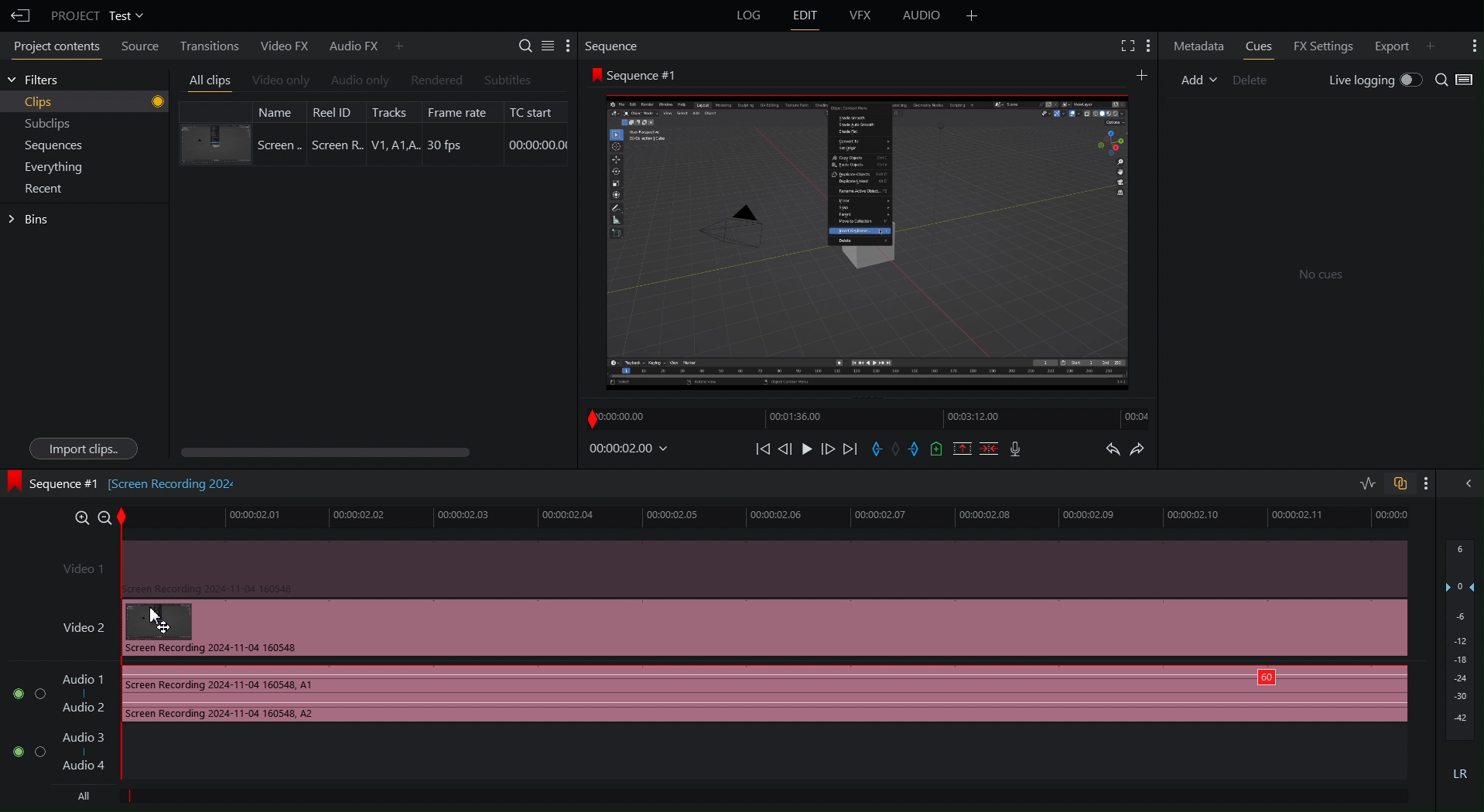  I want to click on Add, so click(1194, 79).